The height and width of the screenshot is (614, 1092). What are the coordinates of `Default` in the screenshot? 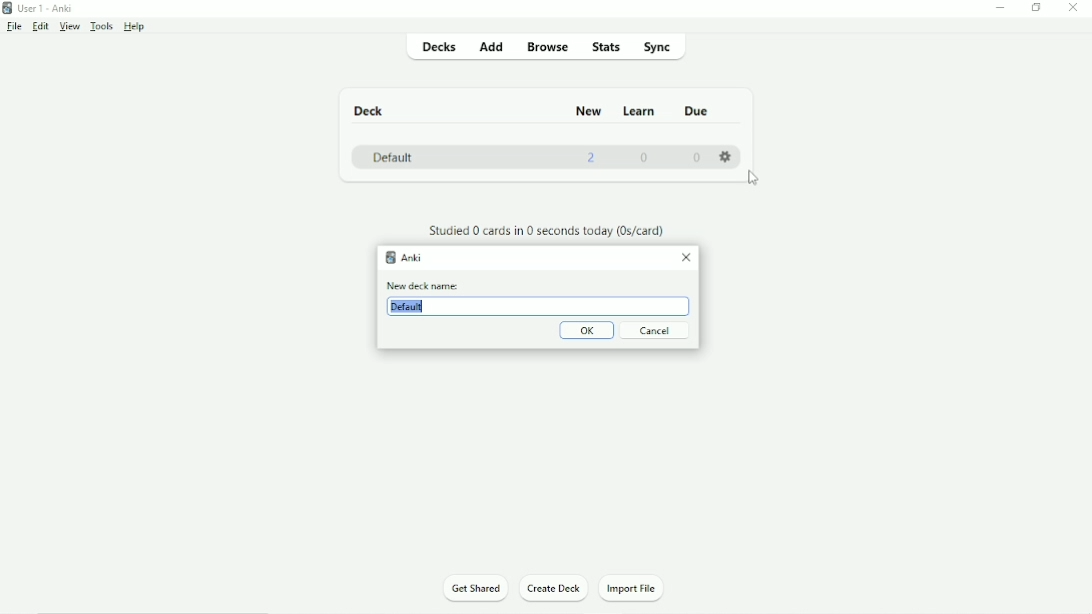 It's located at (395, 156).